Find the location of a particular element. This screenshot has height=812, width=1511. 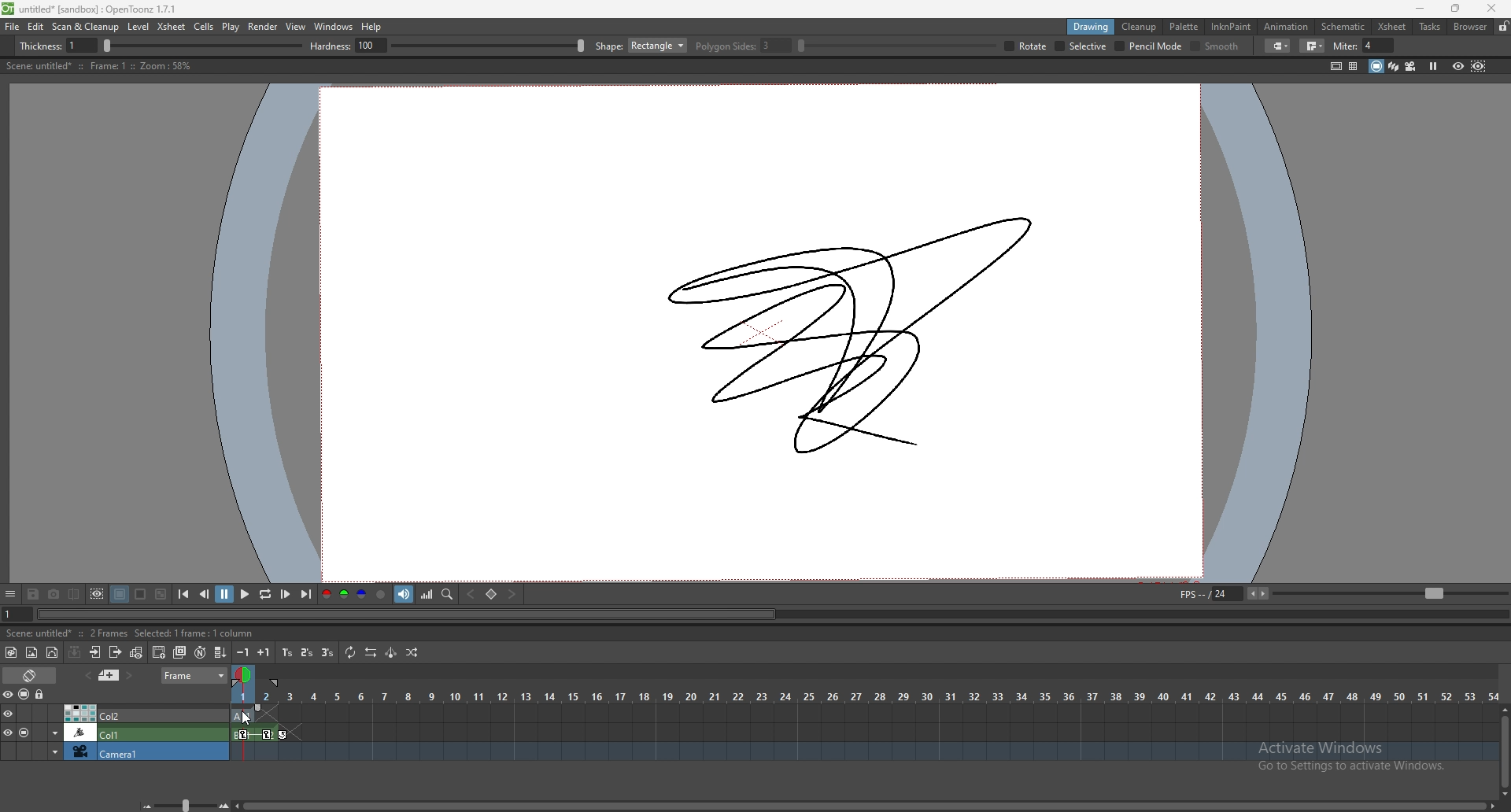

black background is located at coordinates (120, 594).